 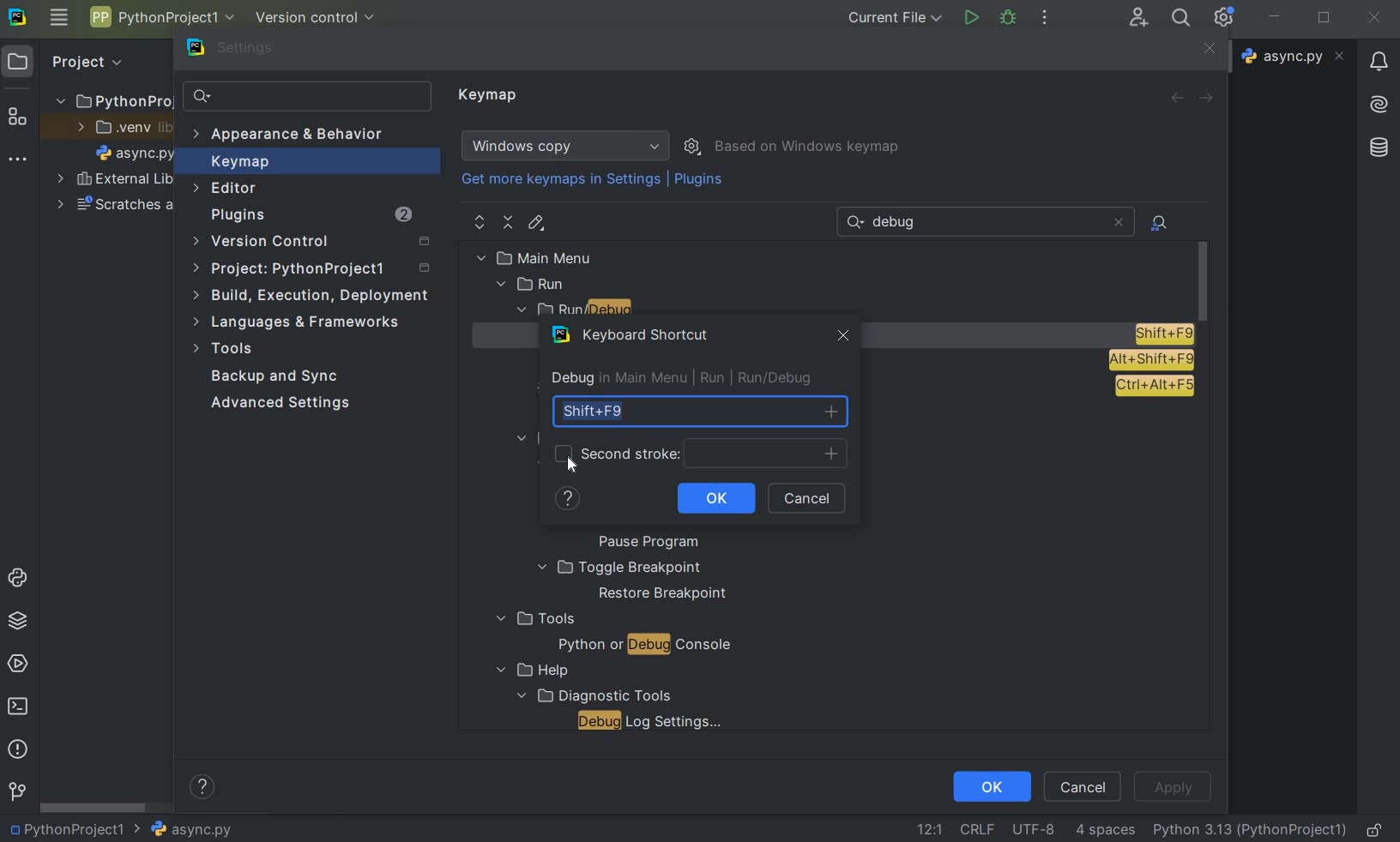 I want to click on scratches and consoles, so click(x=116, y=207).